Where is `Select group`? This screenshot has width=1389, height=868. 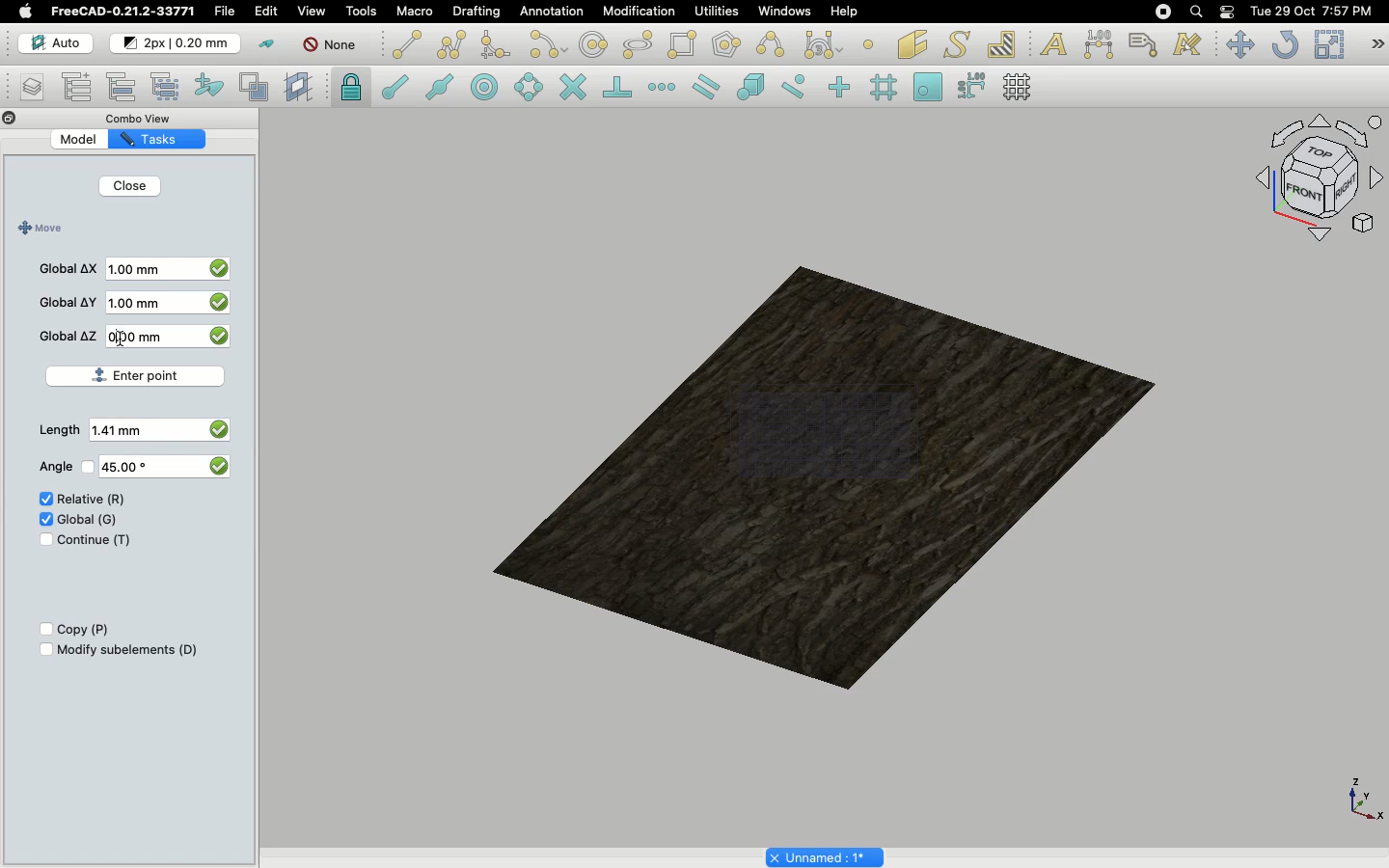
Select group is located at coordinates (167, 85).